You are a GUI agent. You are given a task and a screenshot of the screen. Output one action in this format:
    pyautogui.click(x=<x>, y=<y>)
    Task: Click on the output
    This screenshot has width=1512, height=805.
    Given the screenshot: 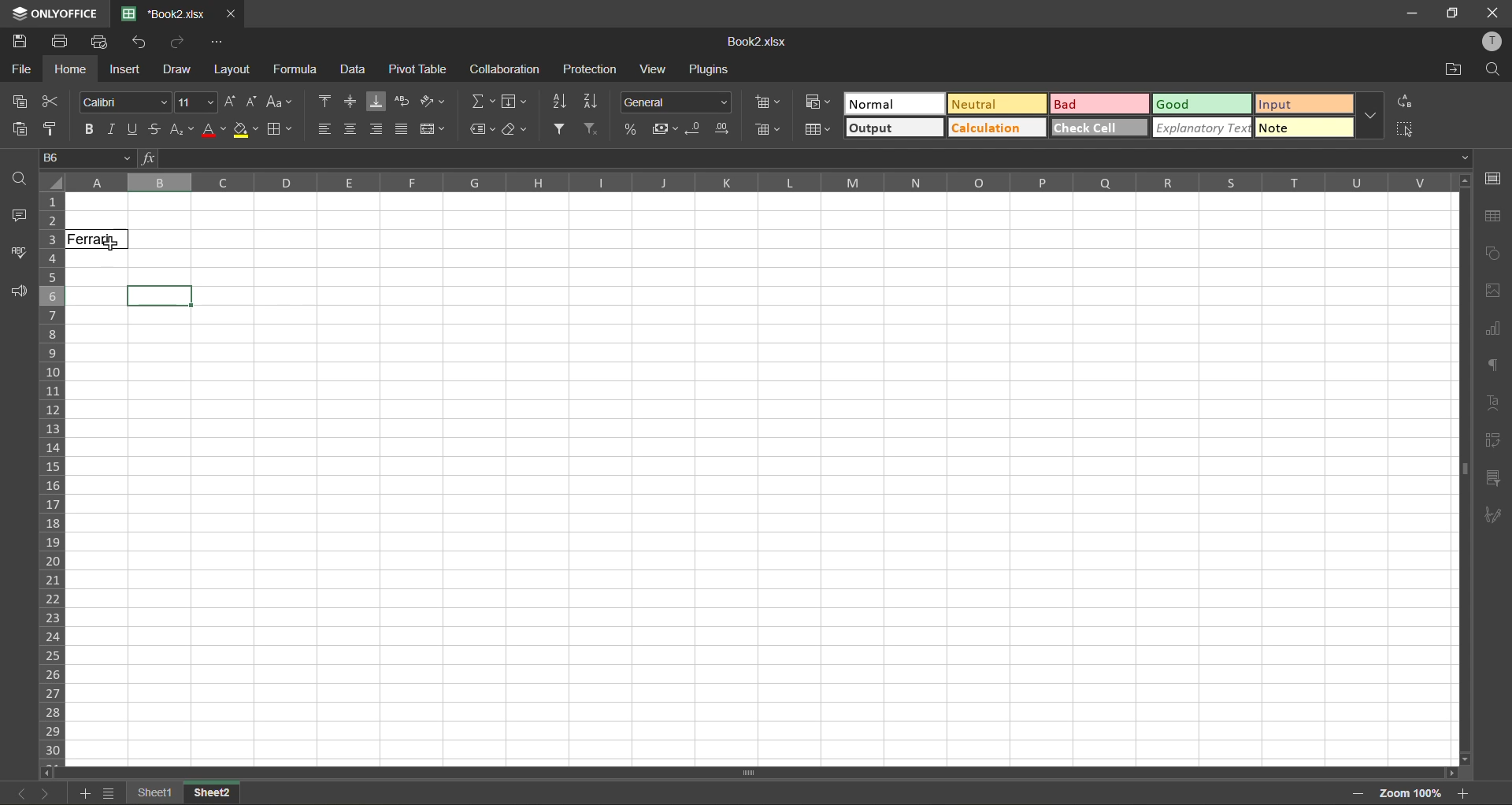 What is the action you would take?
    pyautogui.click(x=895, y=128)
    